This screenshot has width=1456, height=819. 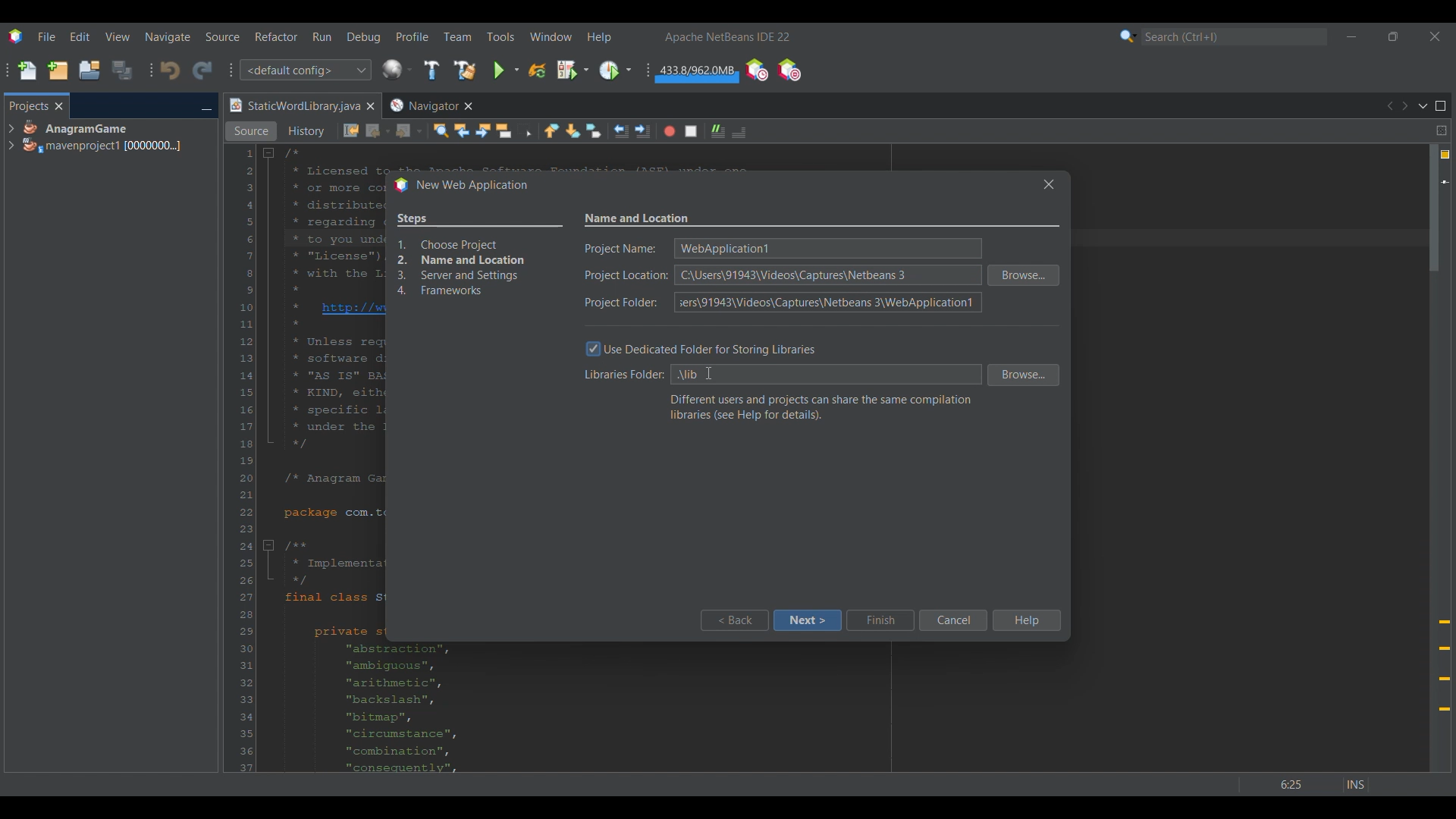 I want to click on Refactor menu, so click(x=276, y=36).